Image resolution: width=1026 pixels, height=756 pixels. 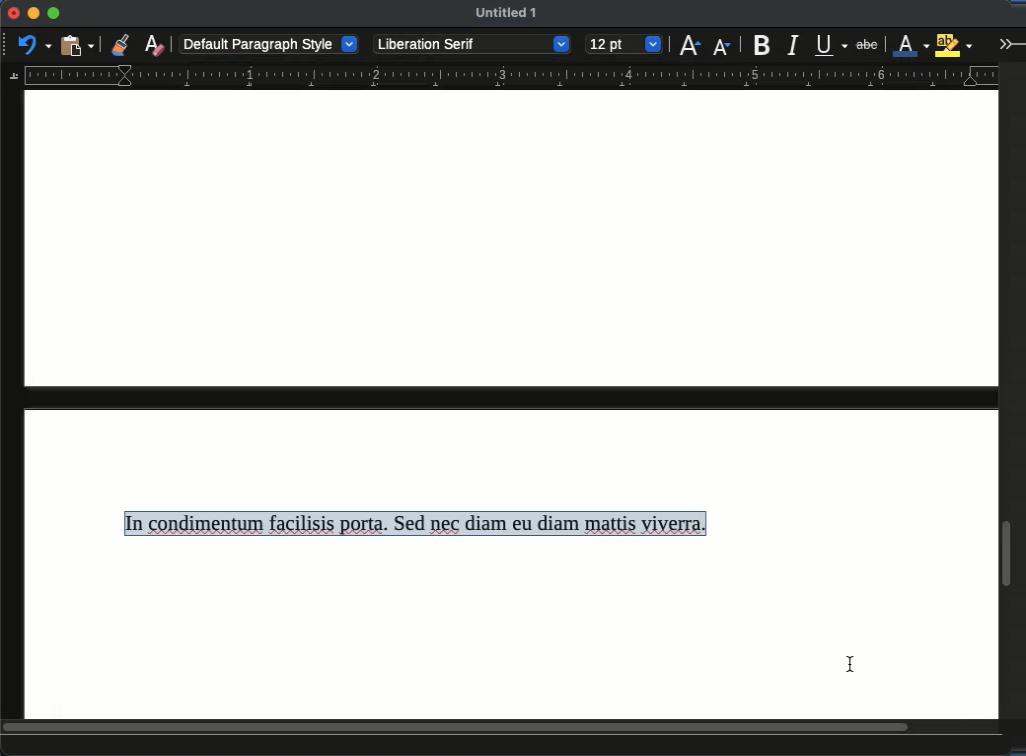 What do you see at coordinates (414, 524) in the screenshot?
I see `In condimentum facilisis porta. Sed nec diam eu diam mattis viverra.` at bounding box center [414, 524].